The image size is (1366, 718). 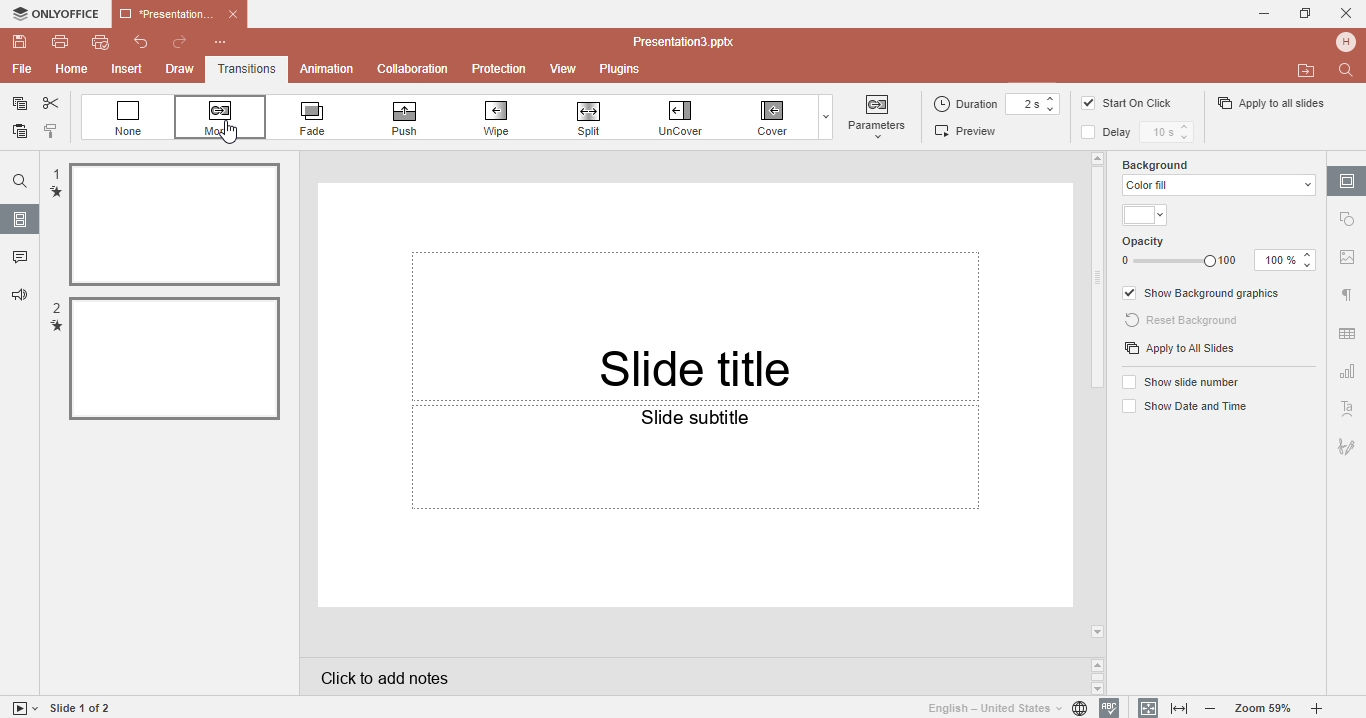 What do you see at coordinates (508, 117) in the screenshot?
I see `Wipe` at bounding box center [508, 117].